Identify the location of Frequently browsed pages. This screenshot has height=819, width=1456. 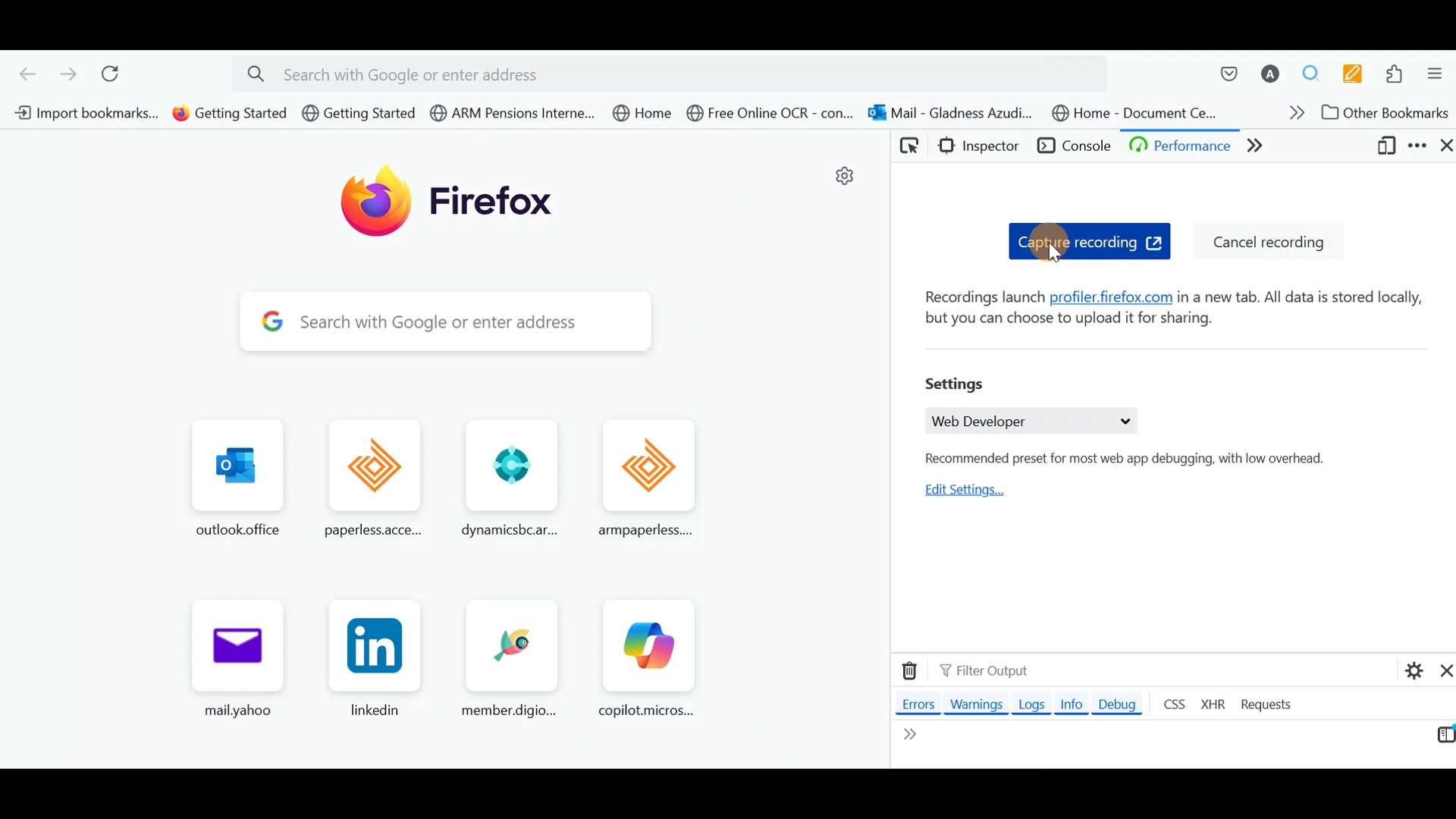
(441, 566).